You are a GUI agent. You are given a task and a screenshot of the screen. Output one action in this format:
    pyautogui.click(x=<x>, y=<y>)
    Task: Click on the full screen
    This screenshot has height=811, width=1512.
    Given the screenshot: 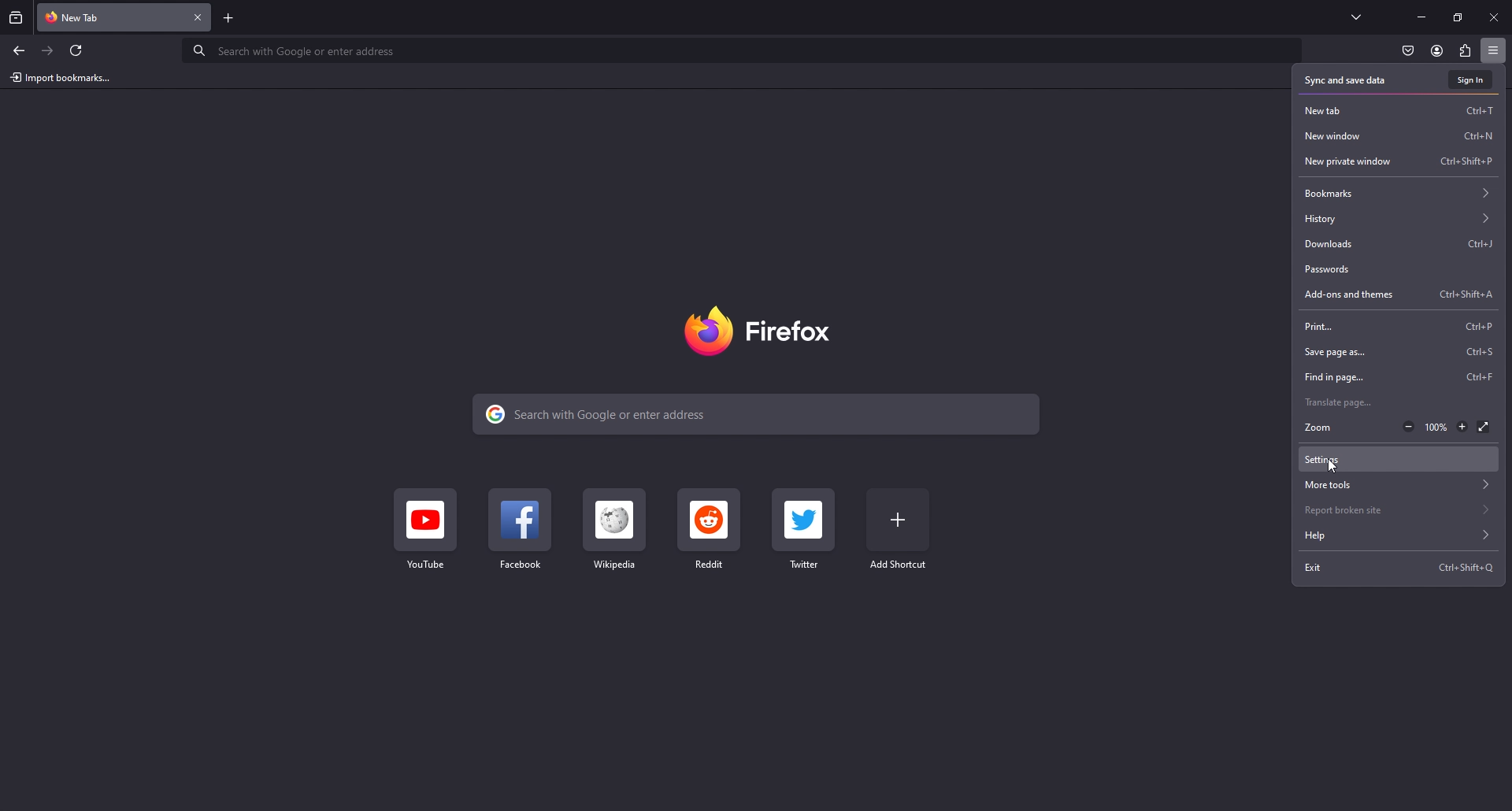 What is the action you would take?
    pyautogui.click(x=1483, y=428)
    